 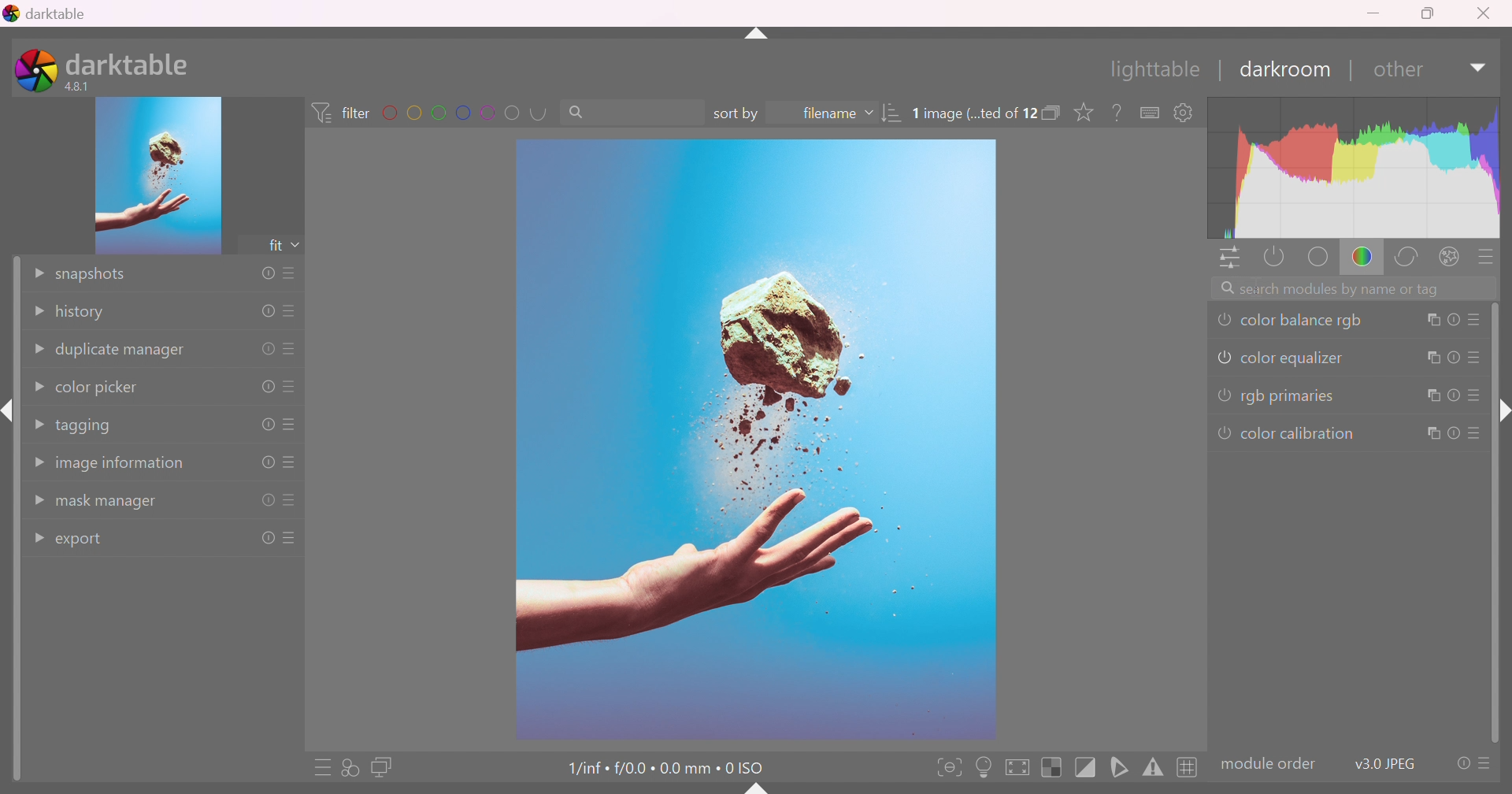 What do you see at coordinates (292, 275) in the screenshot?
I see `presets` at bounding box center [292, 275].